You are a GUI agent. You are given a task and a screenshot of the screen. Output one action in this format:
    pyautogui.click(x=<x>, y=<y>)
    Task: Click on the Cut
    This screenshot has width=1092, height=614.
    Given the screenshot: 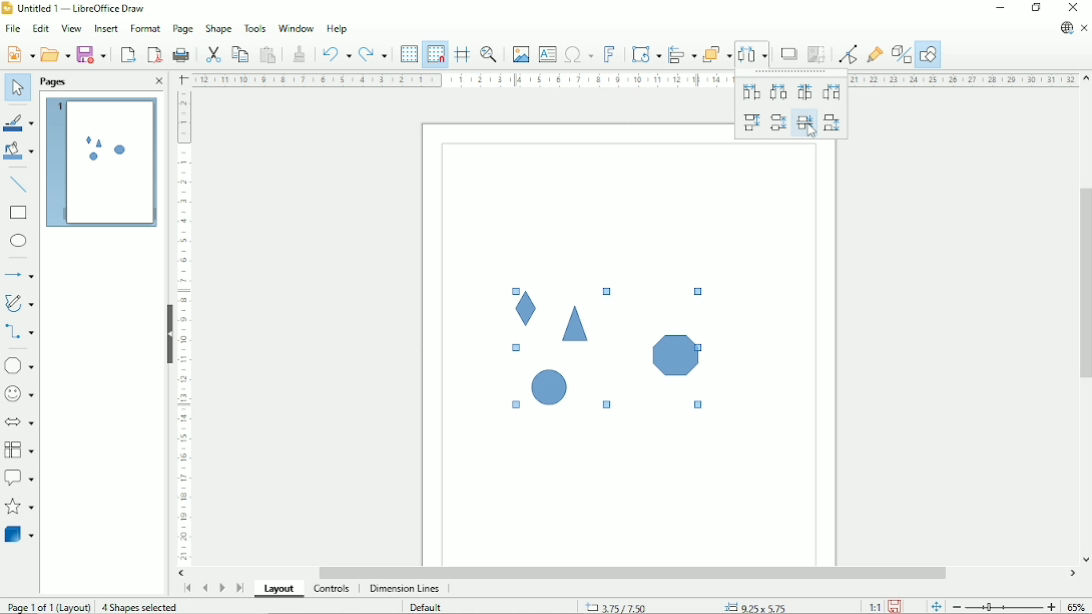 What is the action you would take?
    pyautogui.click(x=214, y=54)
    